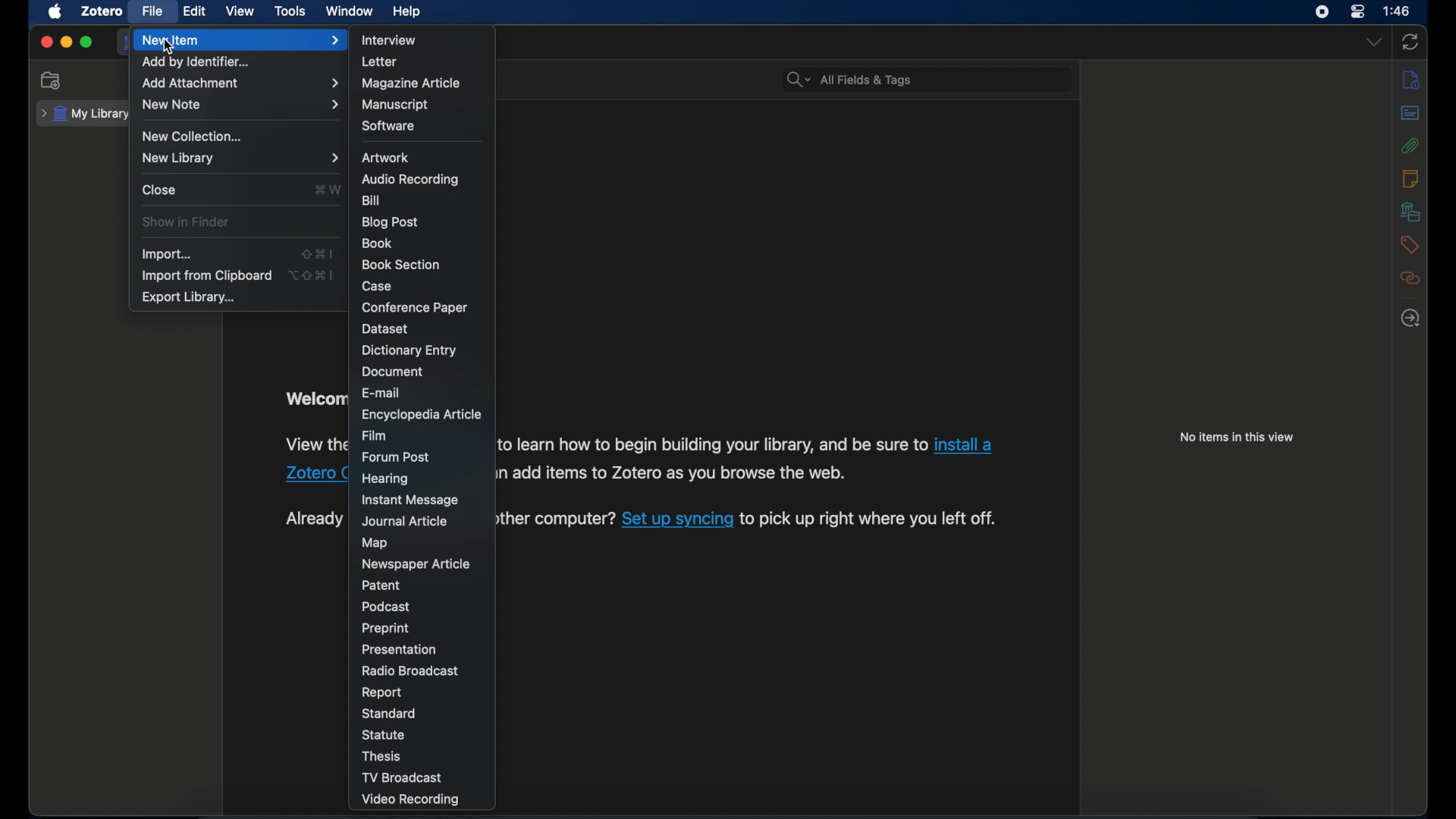 The width and height of the screenshot is (1456, 819). Describe the element at coordinates (395, 105) in the screenshot. I see `manuscript` at that location.